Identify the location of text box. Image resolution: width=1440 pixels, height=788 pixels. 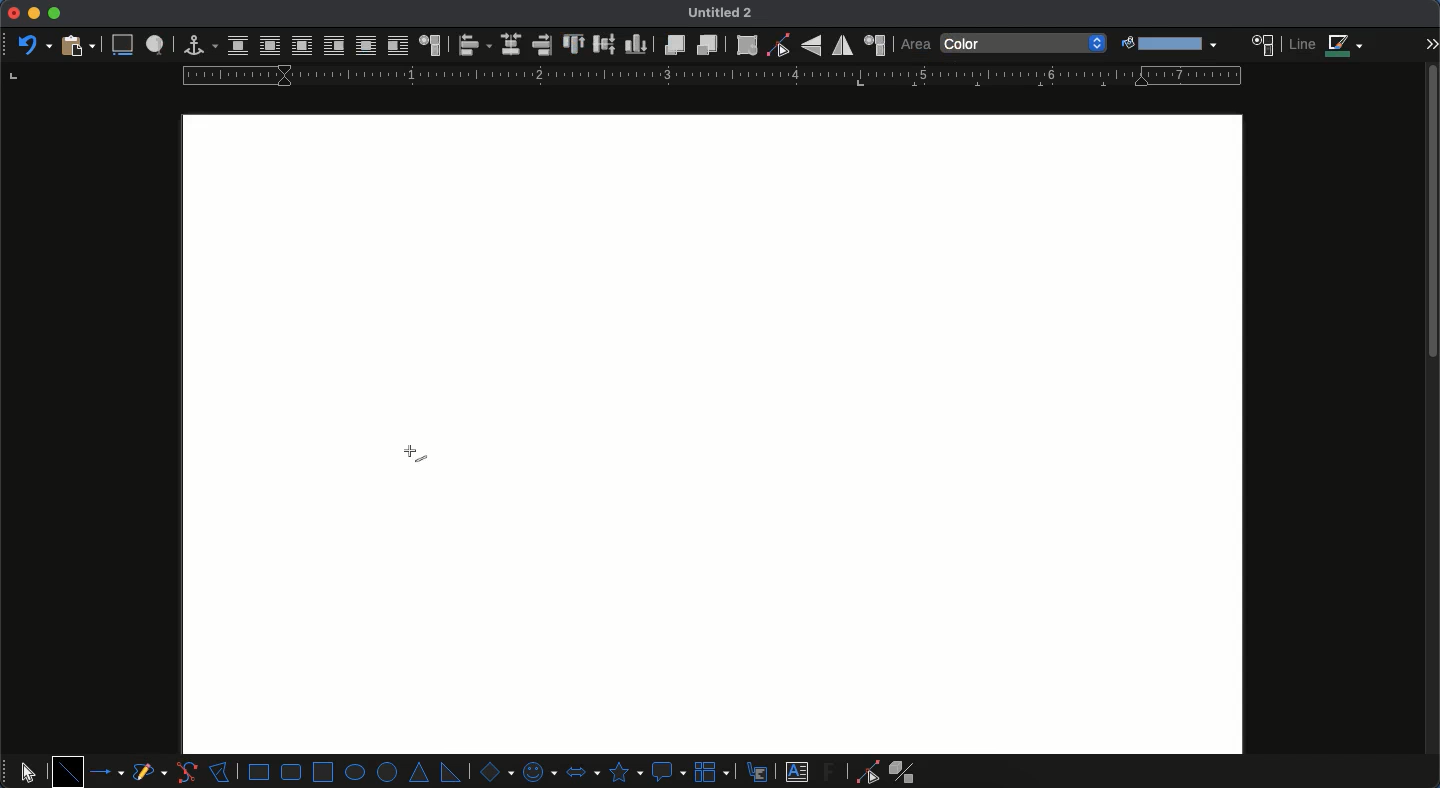
(797, 772).